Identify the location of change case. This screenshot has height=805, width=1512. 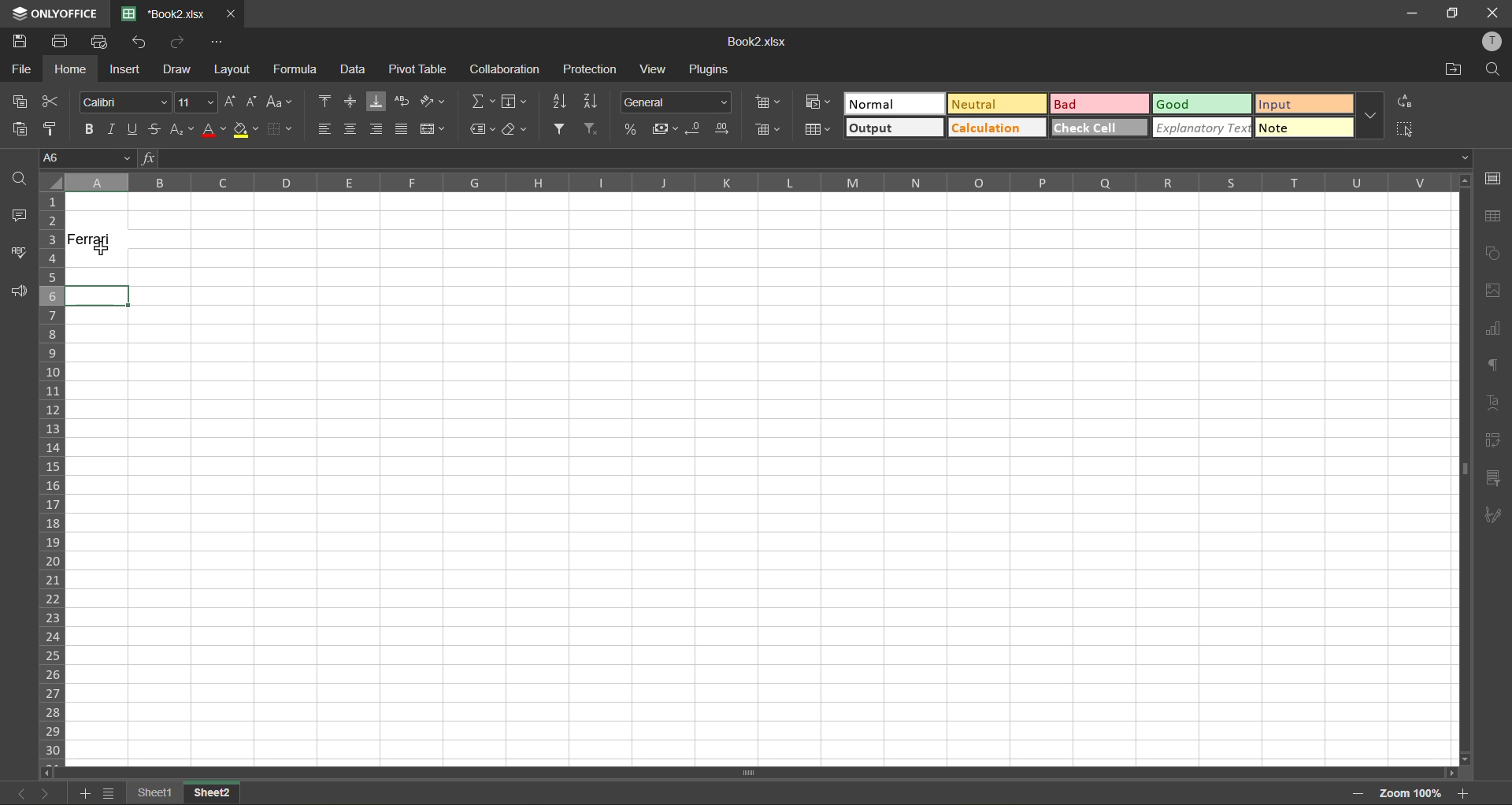
(280, 101).